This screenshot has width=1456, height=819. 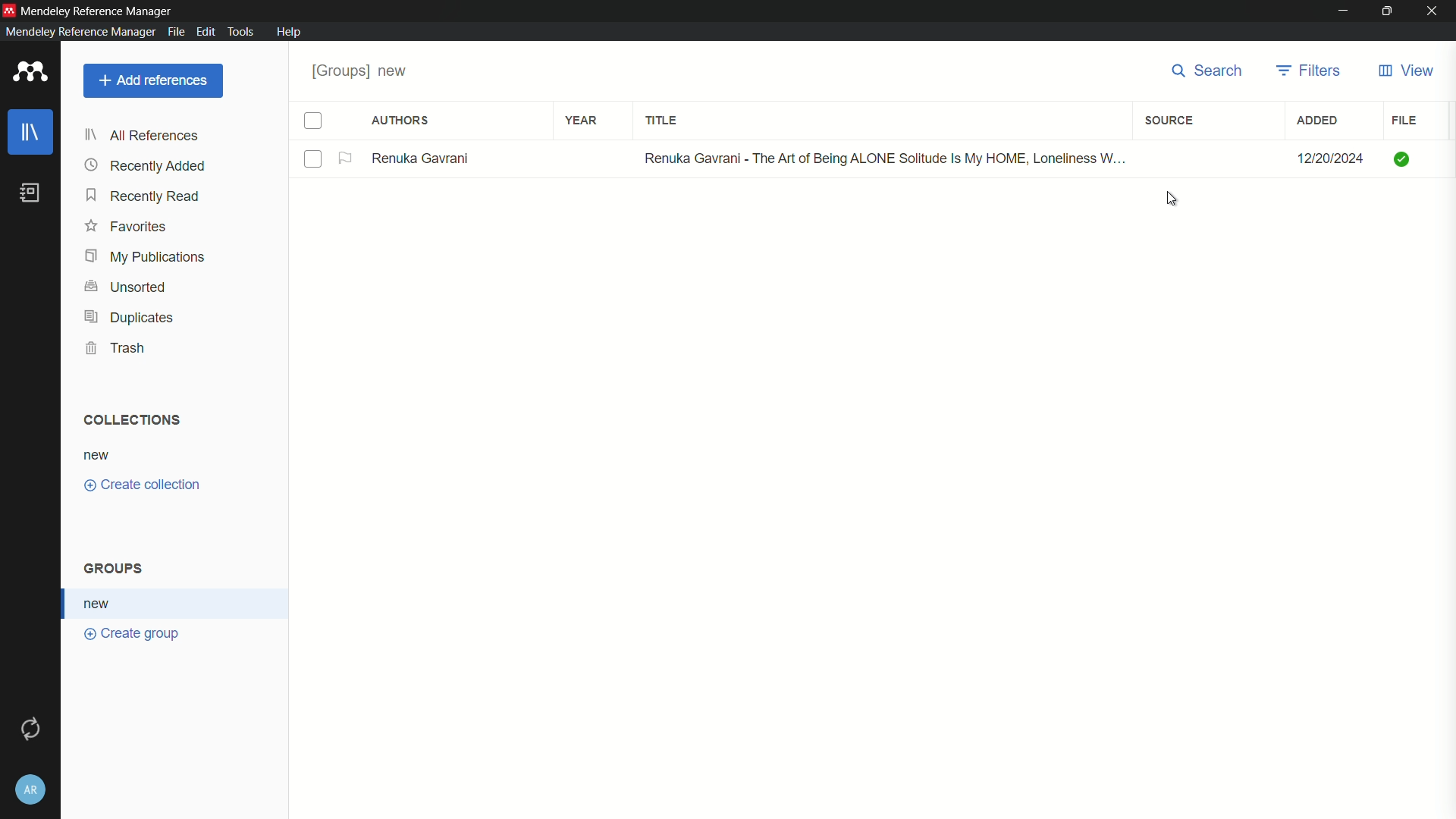 What do you see at coordinates (426, 158) in the screenshot?
I see `Renuka Gaurani` at bounding box center [426, 158].